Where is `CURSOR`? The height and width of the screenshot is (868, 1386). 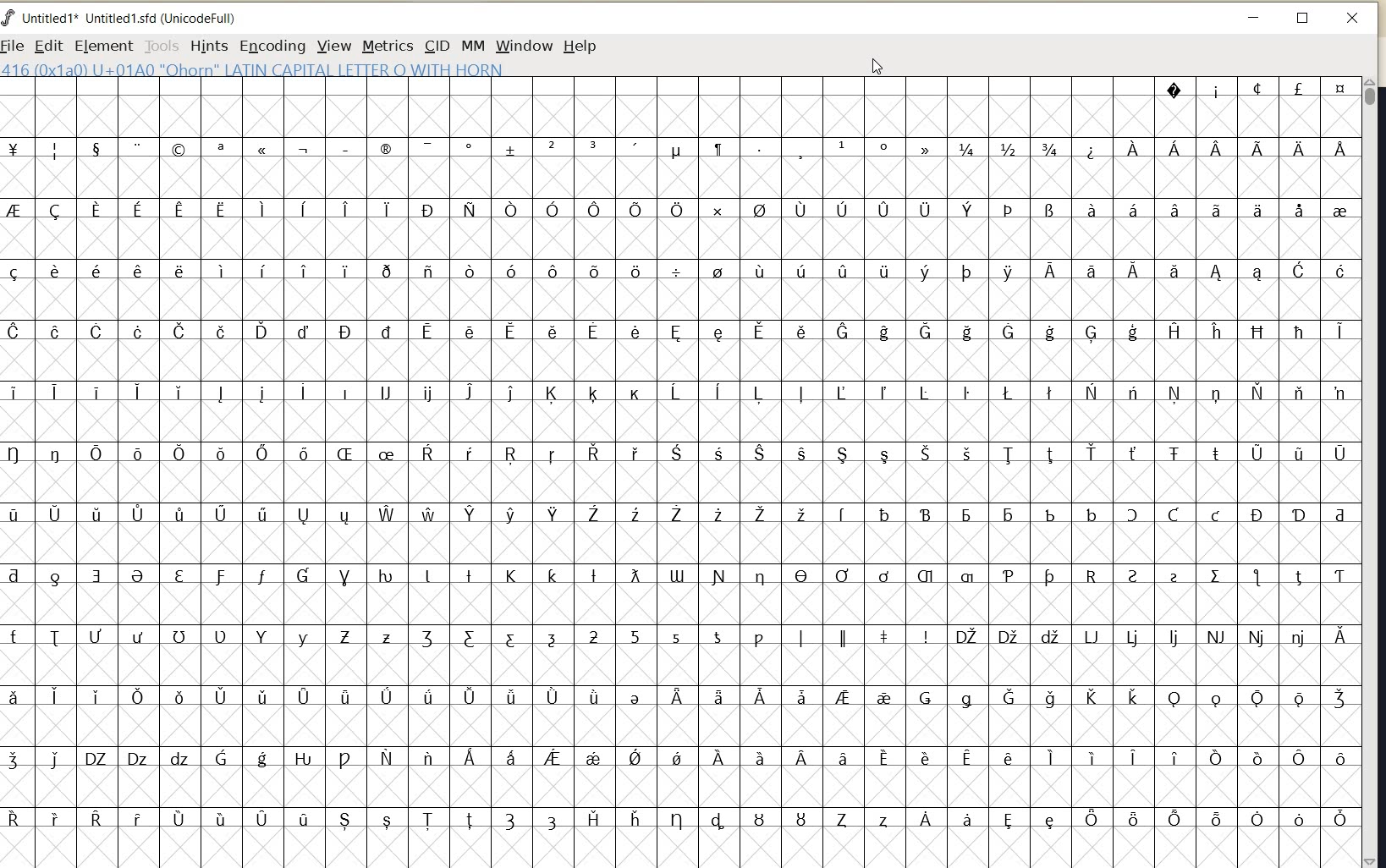
CURSOR is located at coordinates (877, 66).